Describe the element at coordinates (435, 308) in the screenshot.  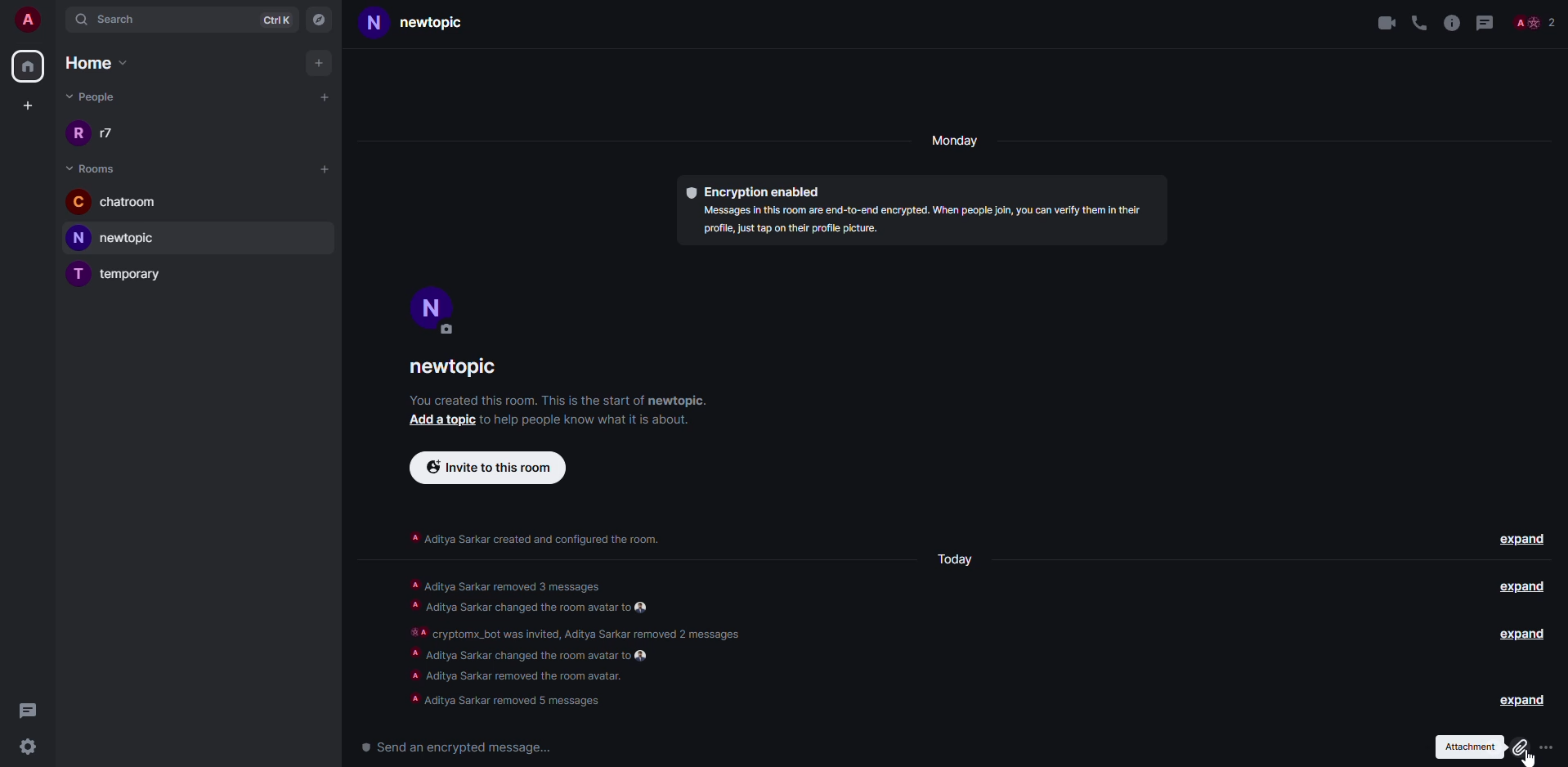
I see `profile` at that location.